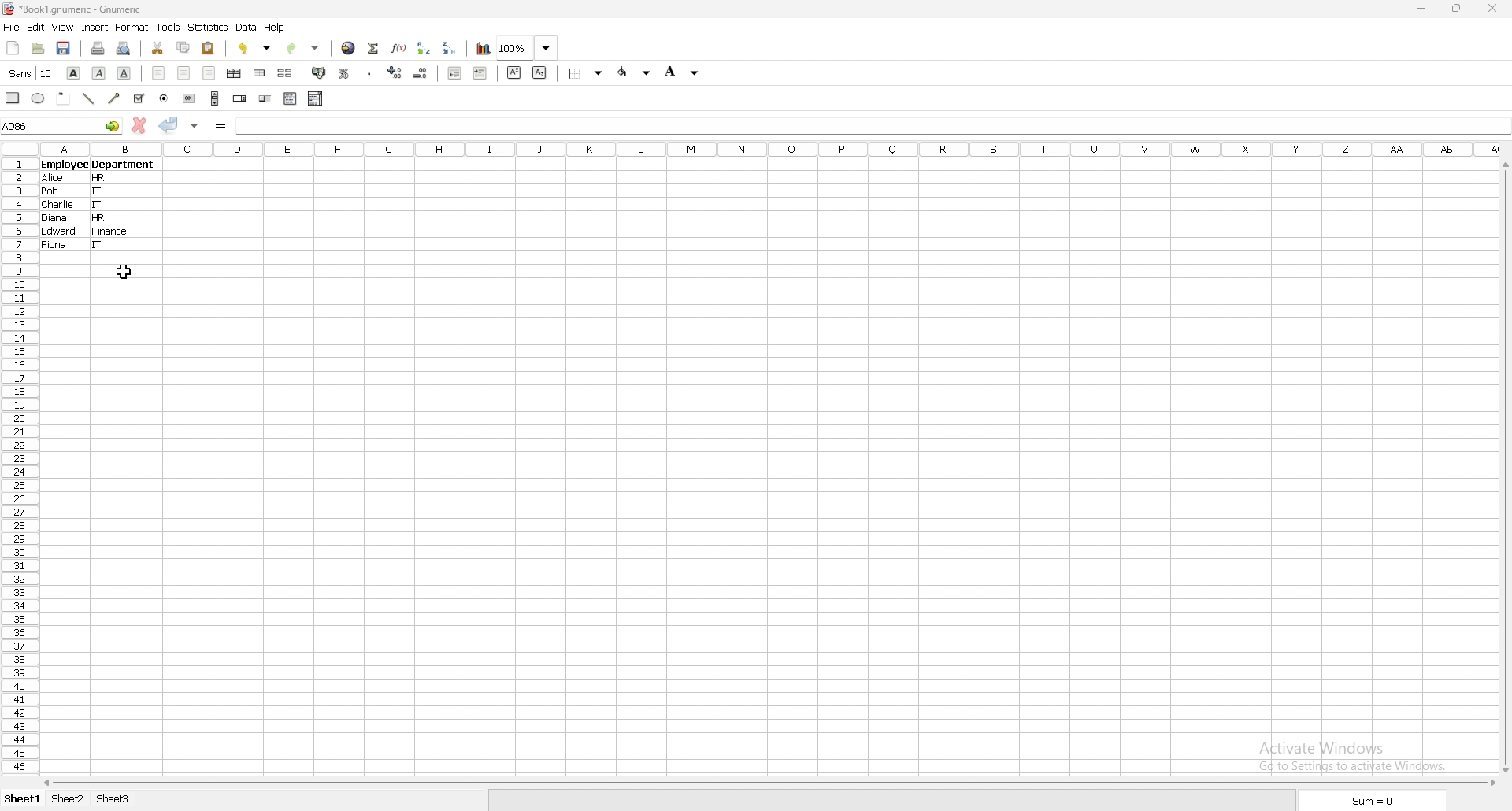 This screenshot has height=811, width=1512. What do you see at coordinates (344, 73) in the screenshot?
I see `percentage` at bounding box center [344, 73].